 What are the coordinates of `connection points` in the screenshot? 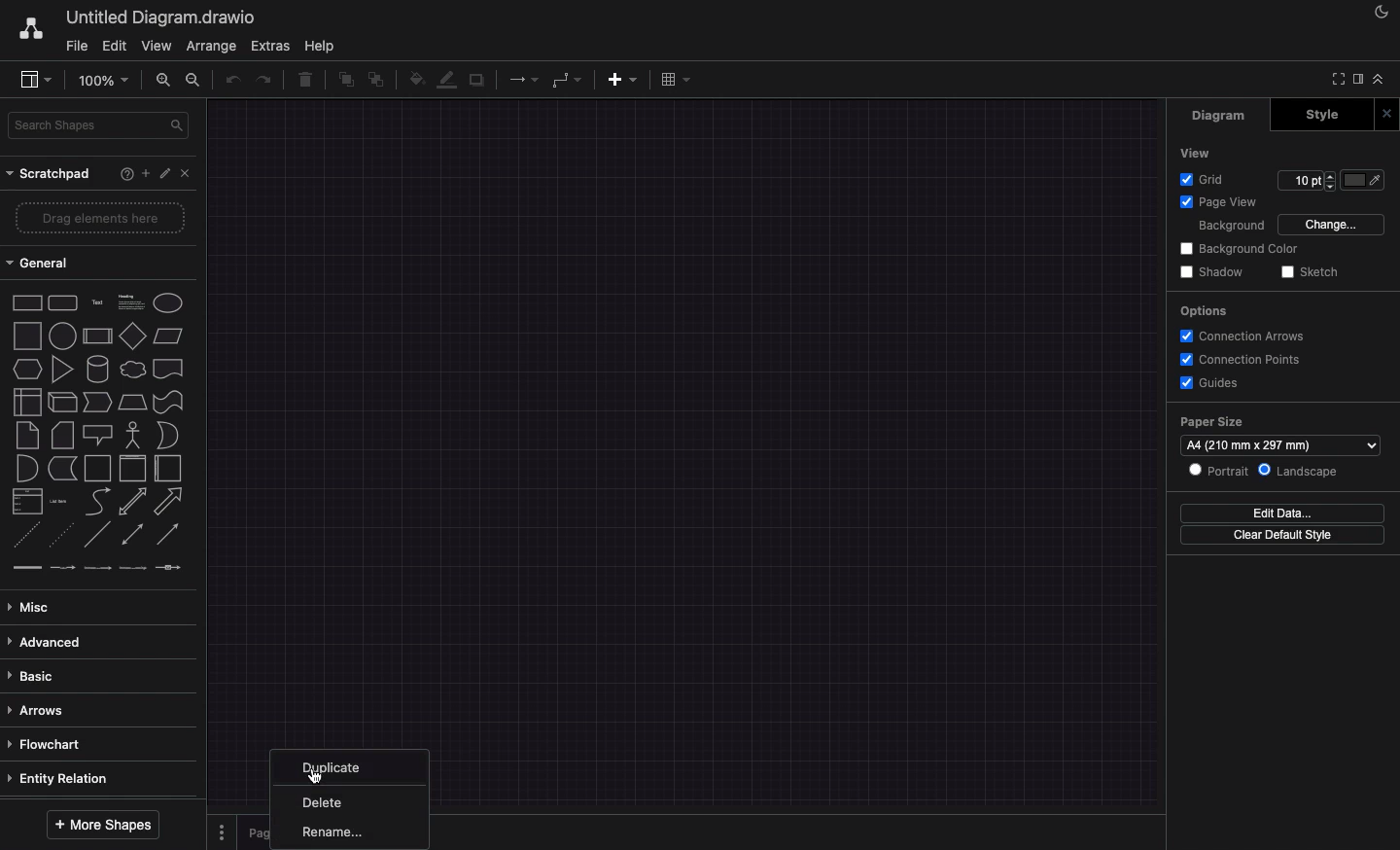 It's located at (1243, 359).